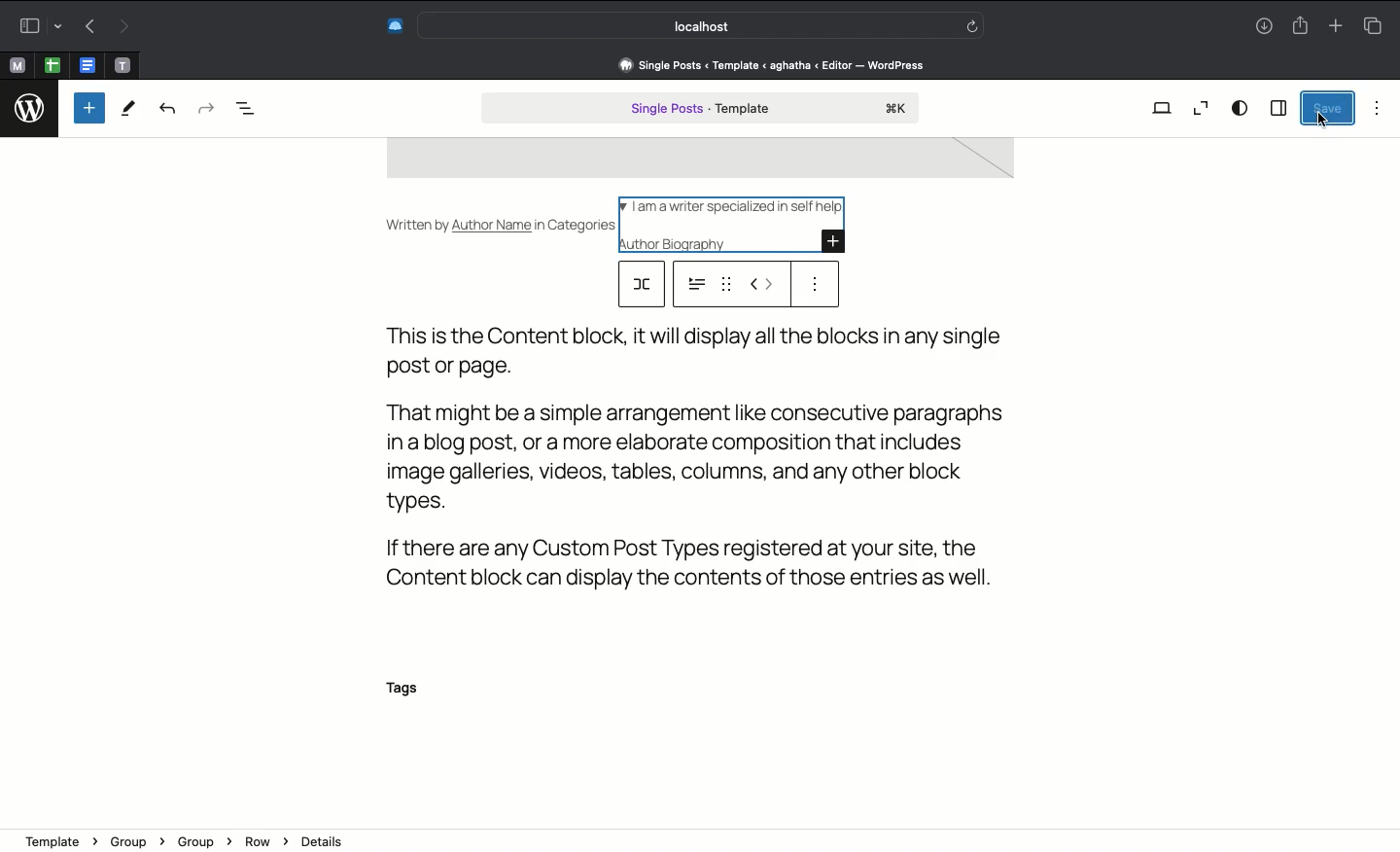 This screenshot has height=852, width=1400. Describe the element at coordinates (760, 284) in the screenshot. I see `Move left right` at that location.